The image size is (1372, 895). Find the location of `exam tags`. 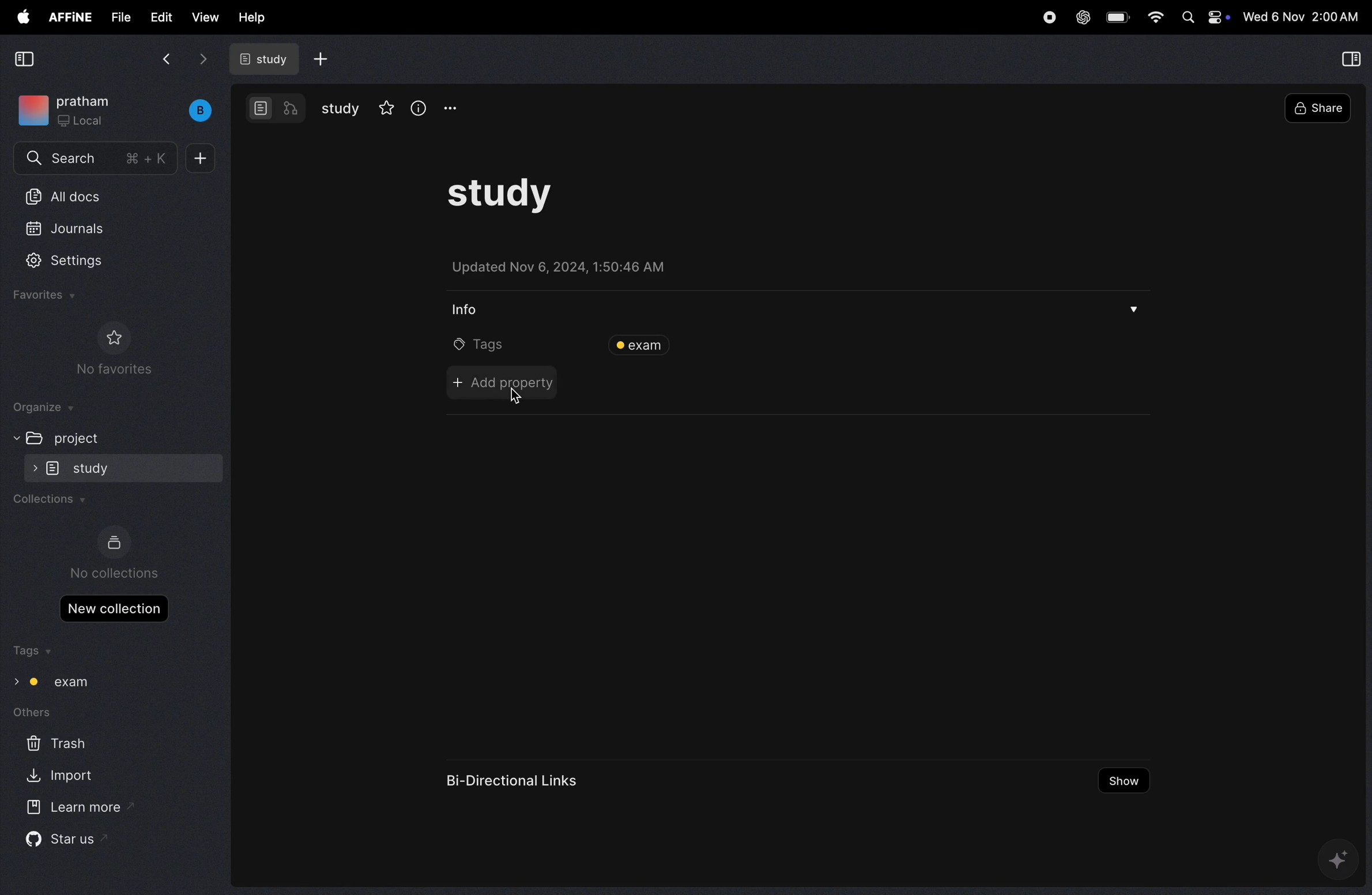

exam tags is located at coordinates (61, 684).